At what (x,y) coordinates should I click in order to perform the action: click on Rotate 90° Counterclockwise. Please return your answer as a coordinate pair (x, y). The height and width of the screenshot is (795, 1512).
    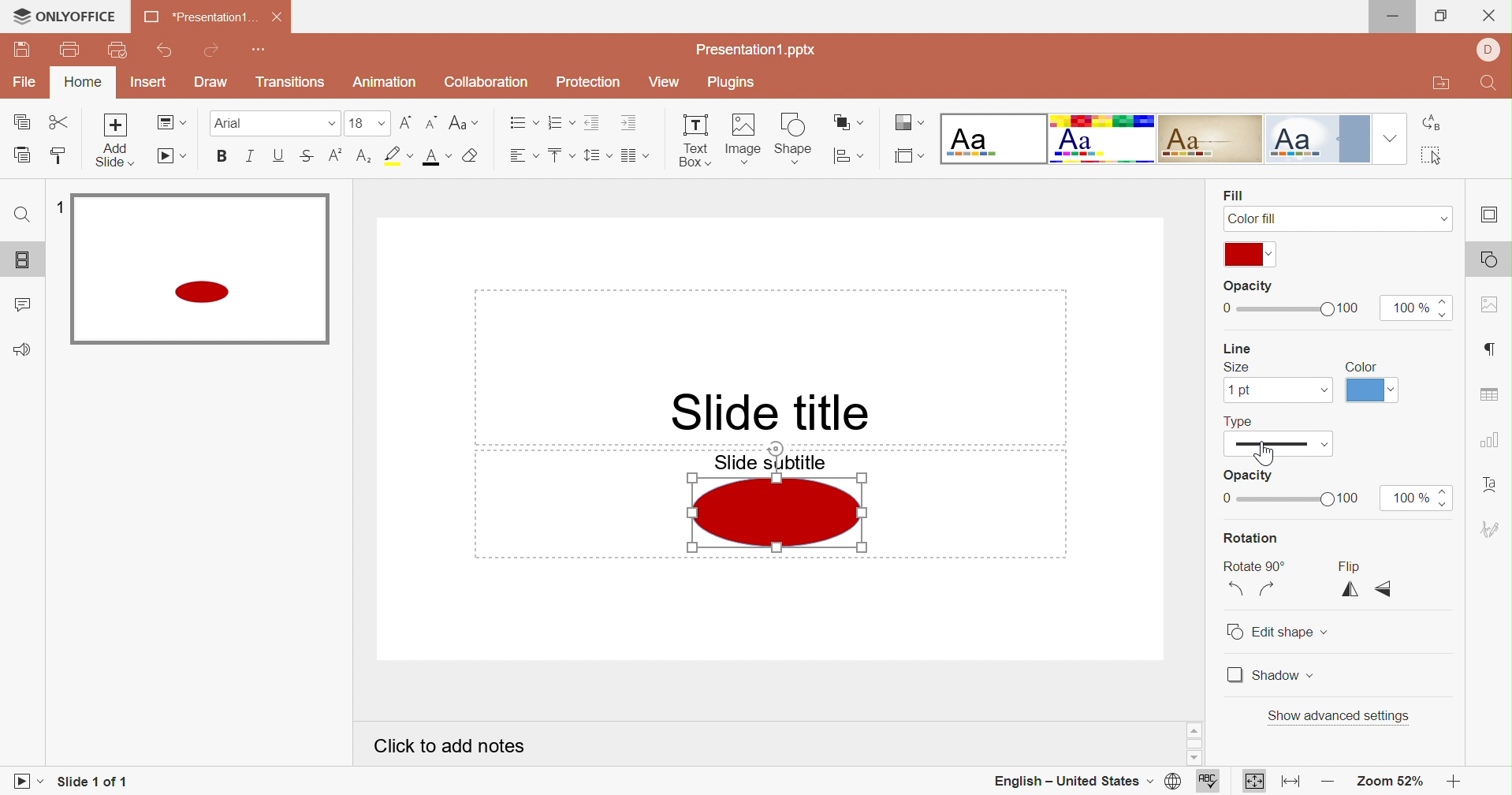
    Looking at the image, I should click on (1236, 590).